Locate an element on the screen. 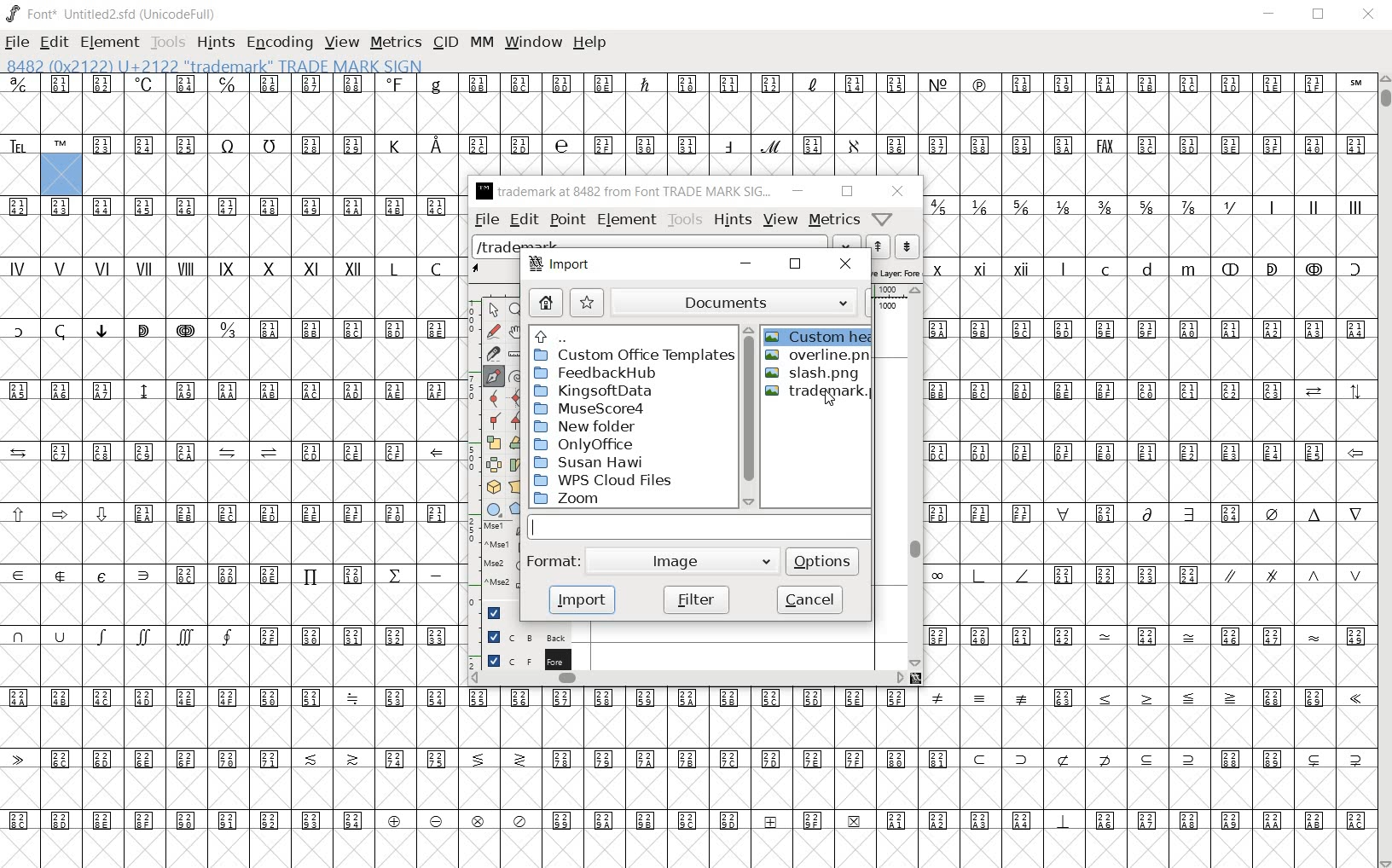 The width and height of the screenshot is (1392, 868). scale the selection is located at coordinates (494, 441).